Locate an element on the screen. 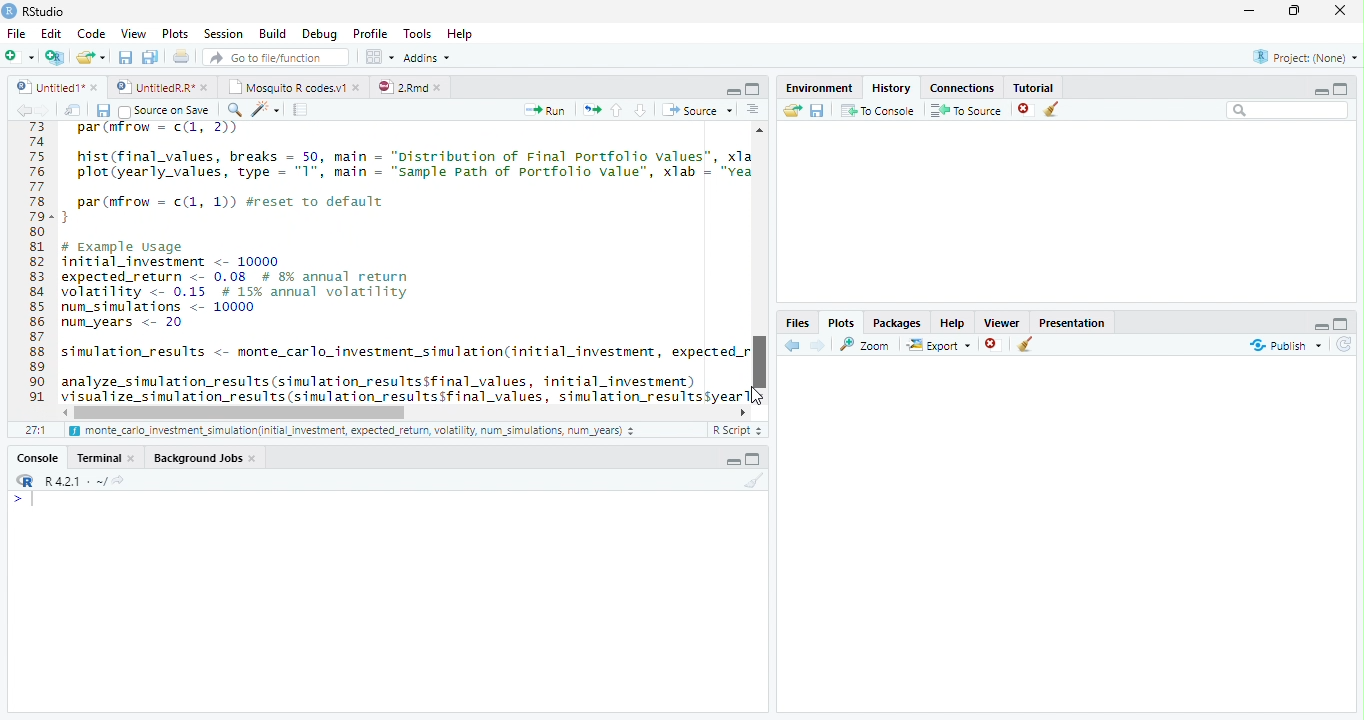  previous source location is located at coordinates (23, 110).